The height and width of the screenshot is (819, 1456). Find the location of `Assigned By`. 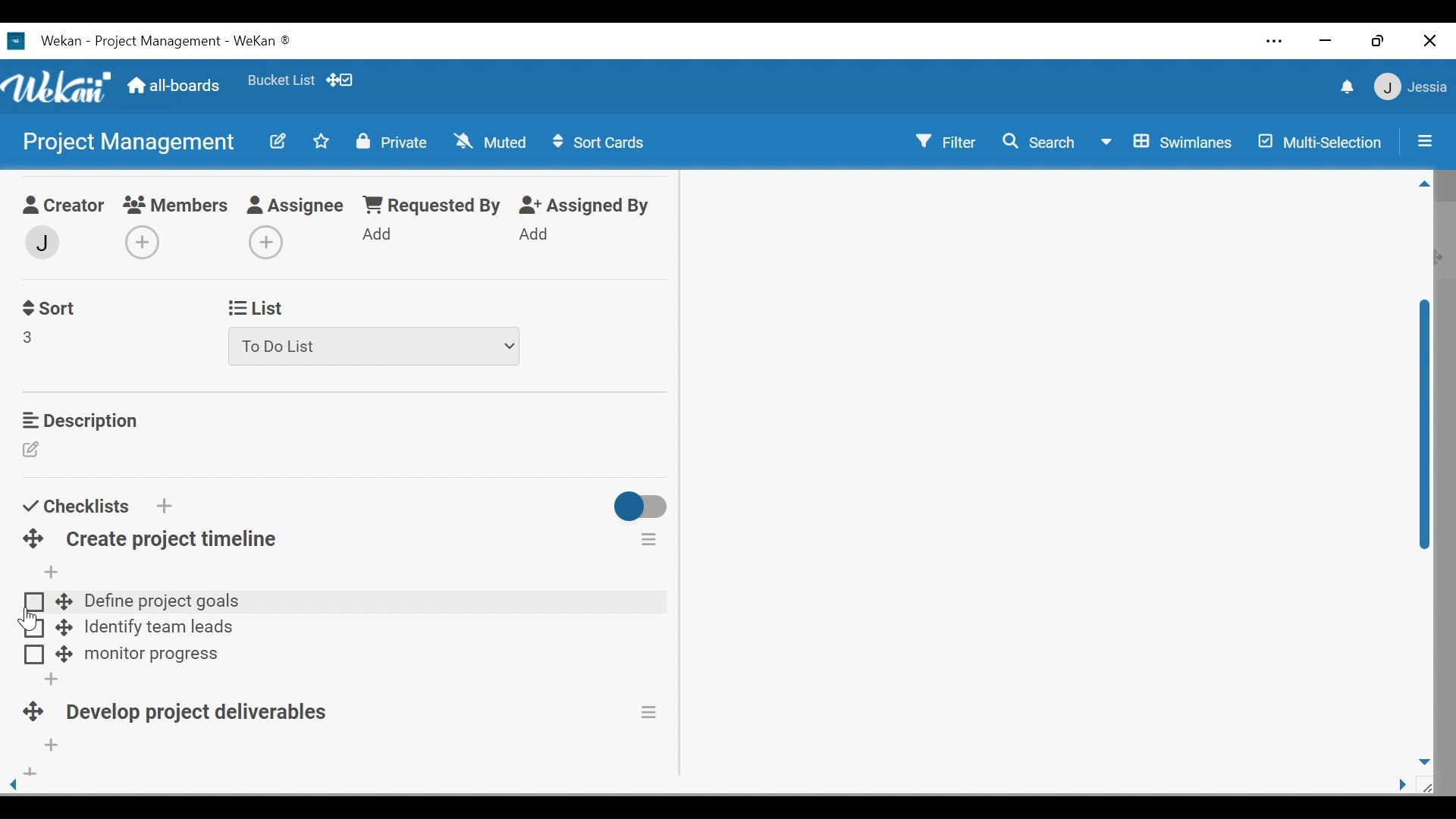

Assigned By is located at coordinates (585, 206).